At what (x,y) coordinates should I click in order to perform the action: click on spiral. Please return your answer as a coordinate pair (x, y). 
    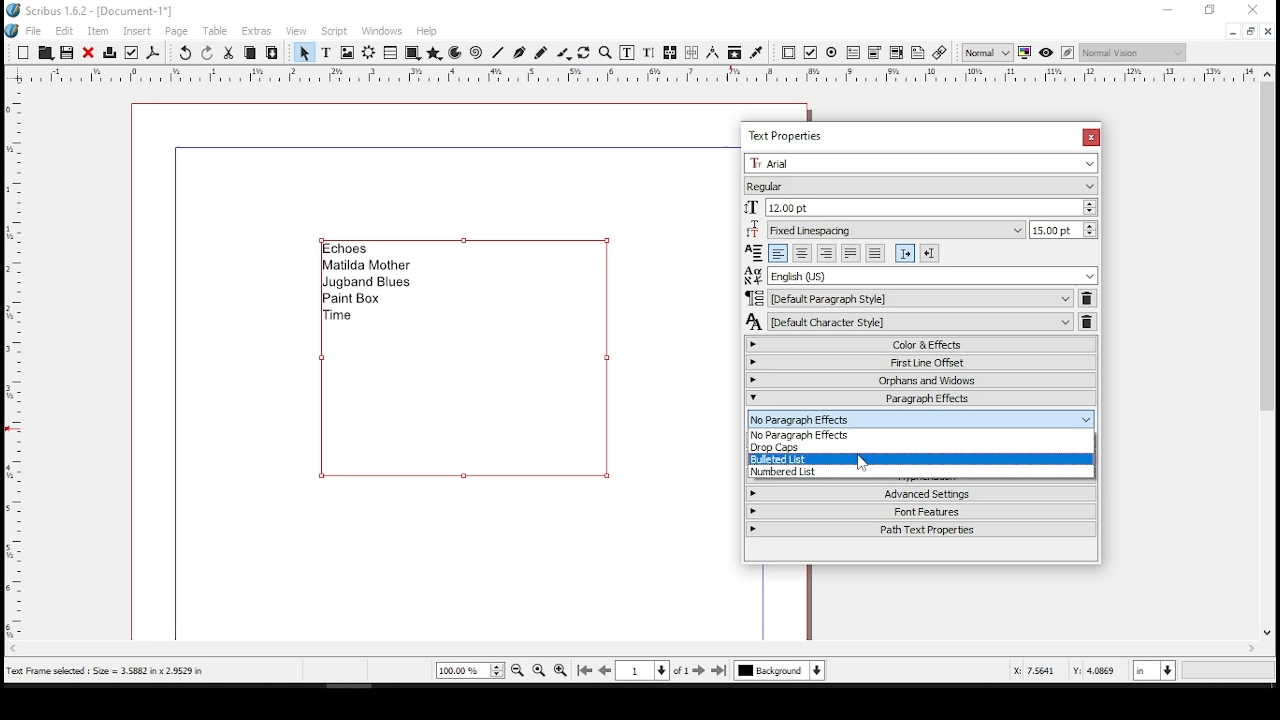
    Looking at the image, I should click on (475, 54).